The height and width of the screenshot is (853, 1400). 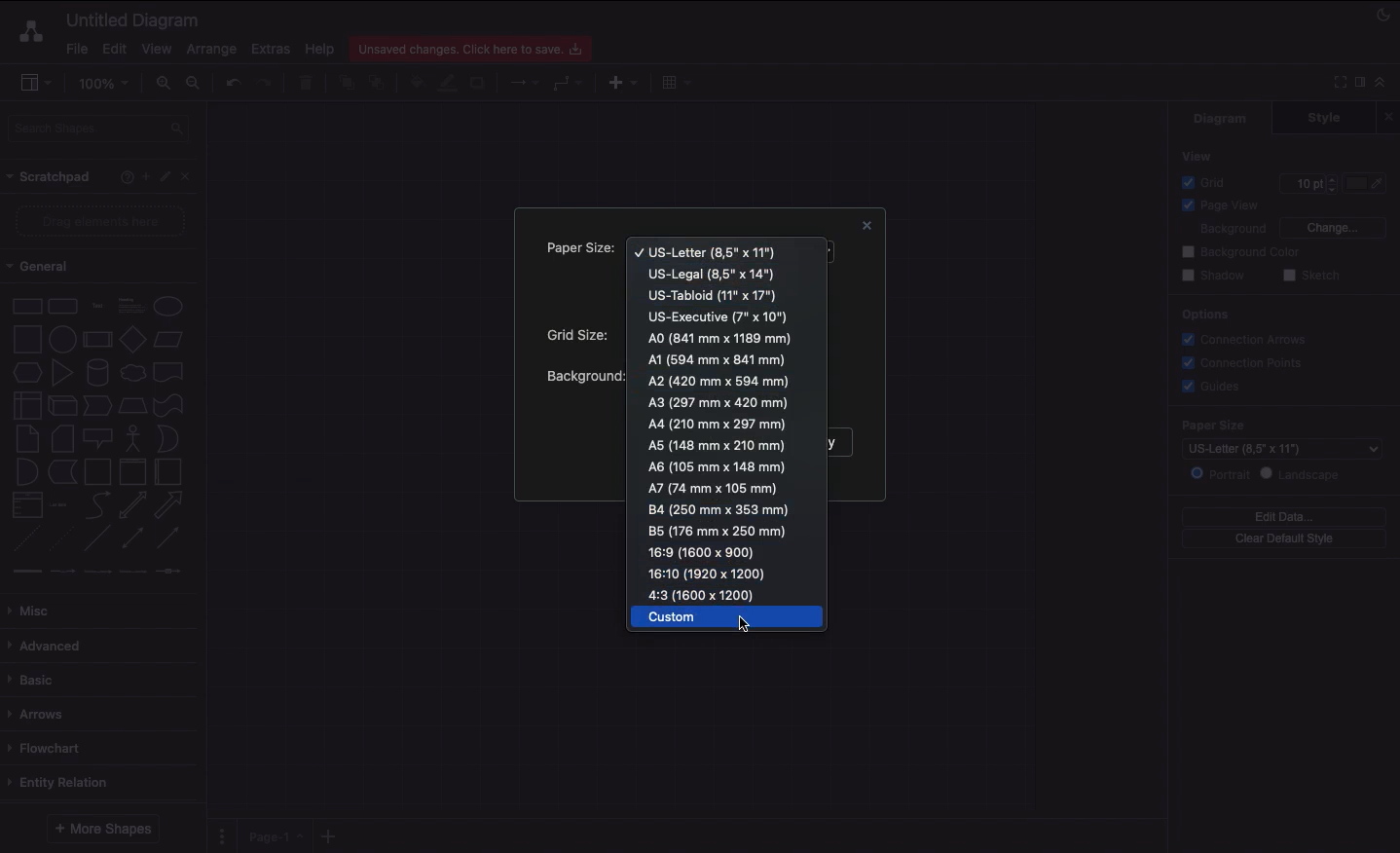 I want to click on Callout, so click(x=99, y=438).